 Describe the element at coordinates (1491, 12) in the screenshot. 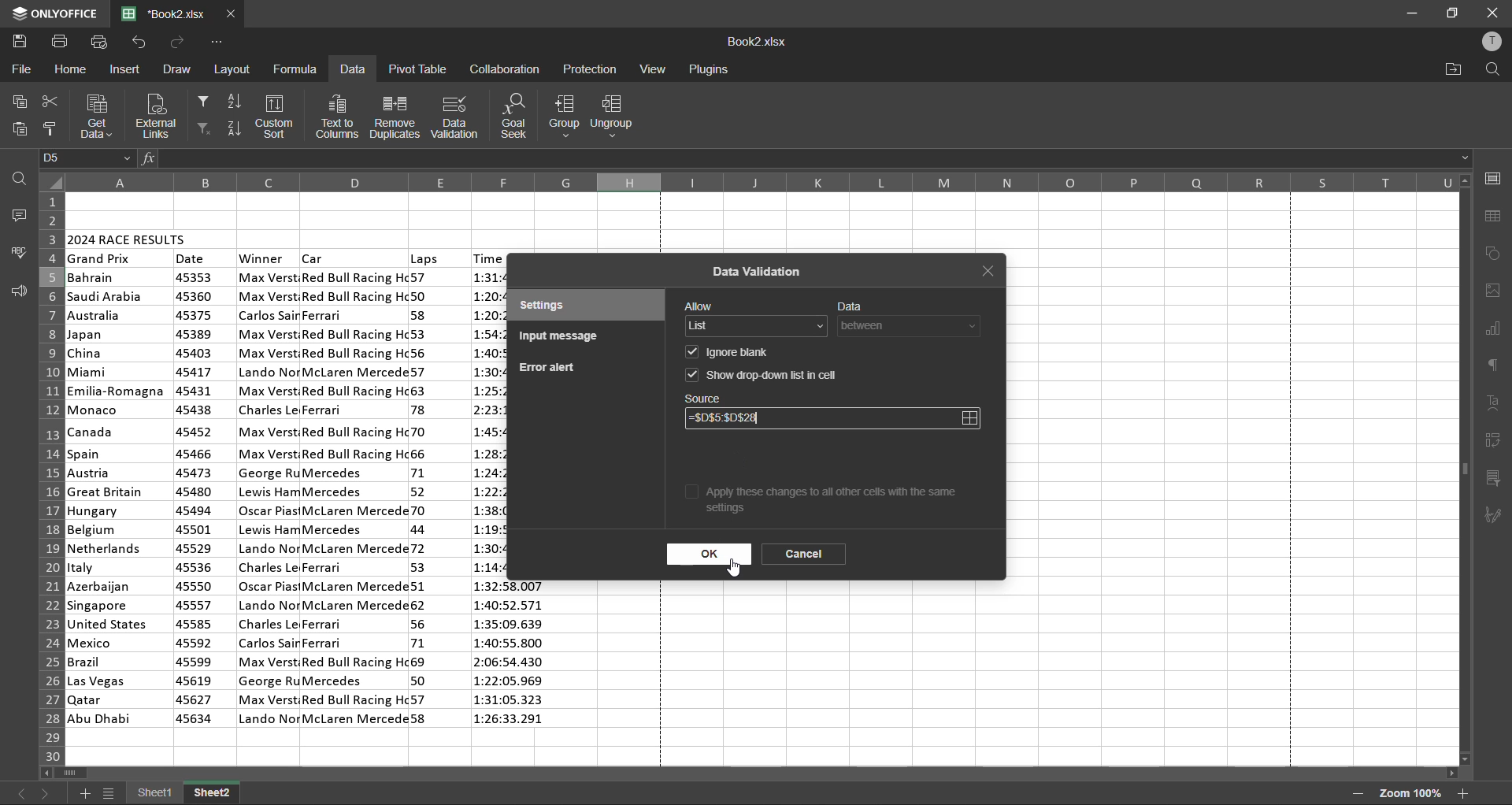

I see `close` at that location.